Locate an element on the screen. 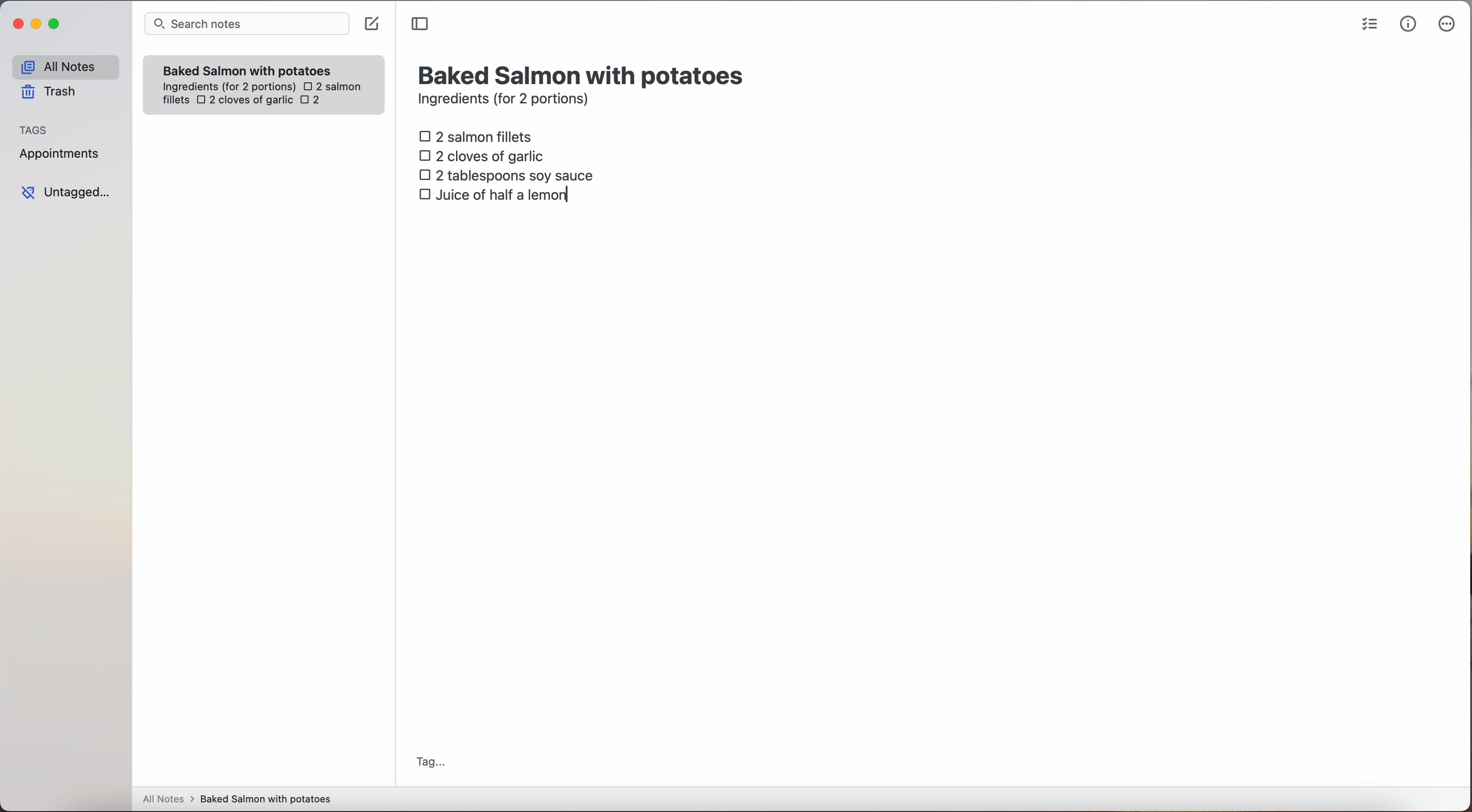 The width and height of the screenshot is (1472, 812). toggle sidebar is located at coordinates (421, 25).